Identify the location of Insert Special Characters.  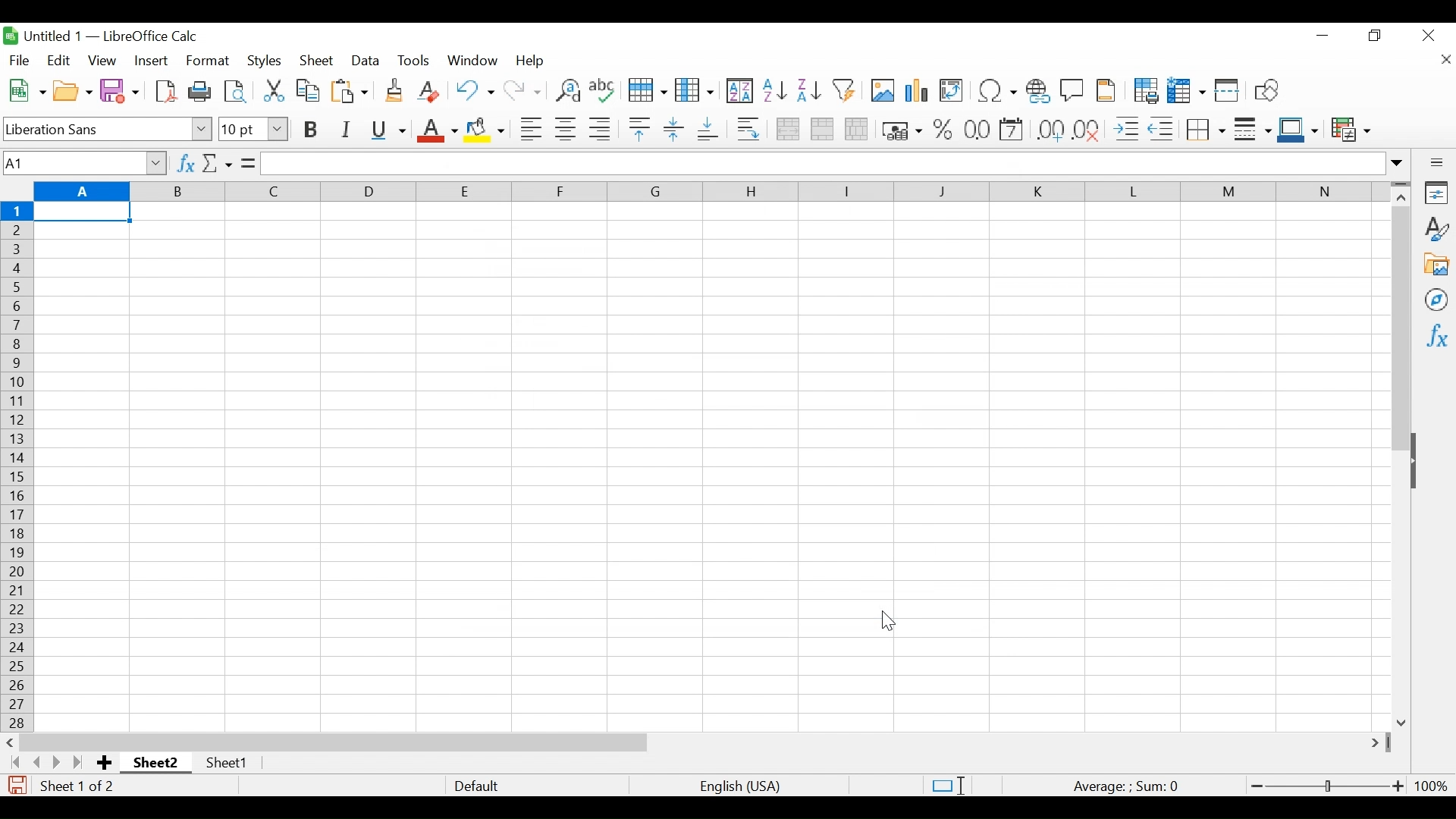
(996, 91).